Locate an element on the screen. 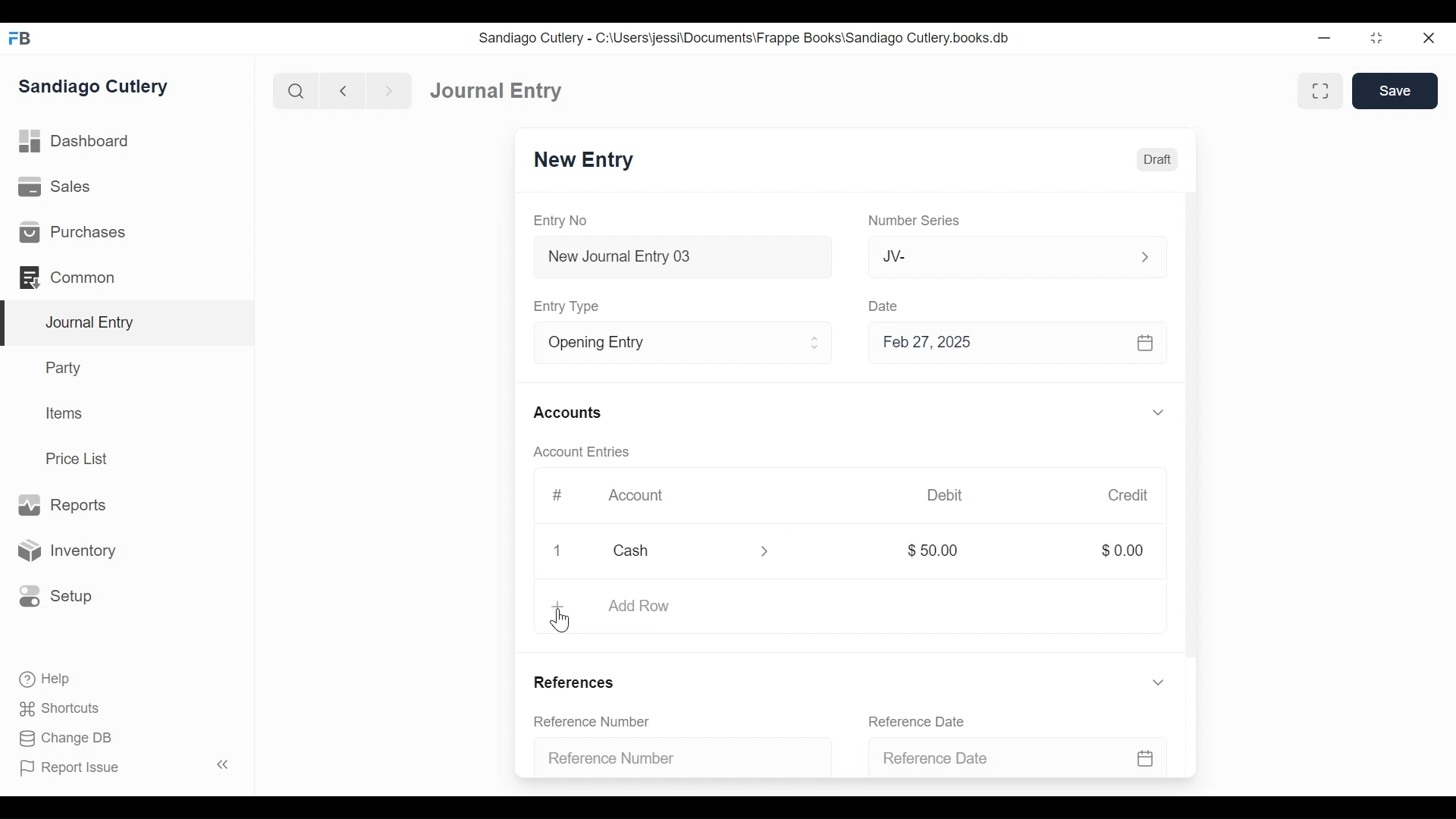 The height and width of the screenshot is (819, 1456). $50.00 is located at coordinates (940, 550).